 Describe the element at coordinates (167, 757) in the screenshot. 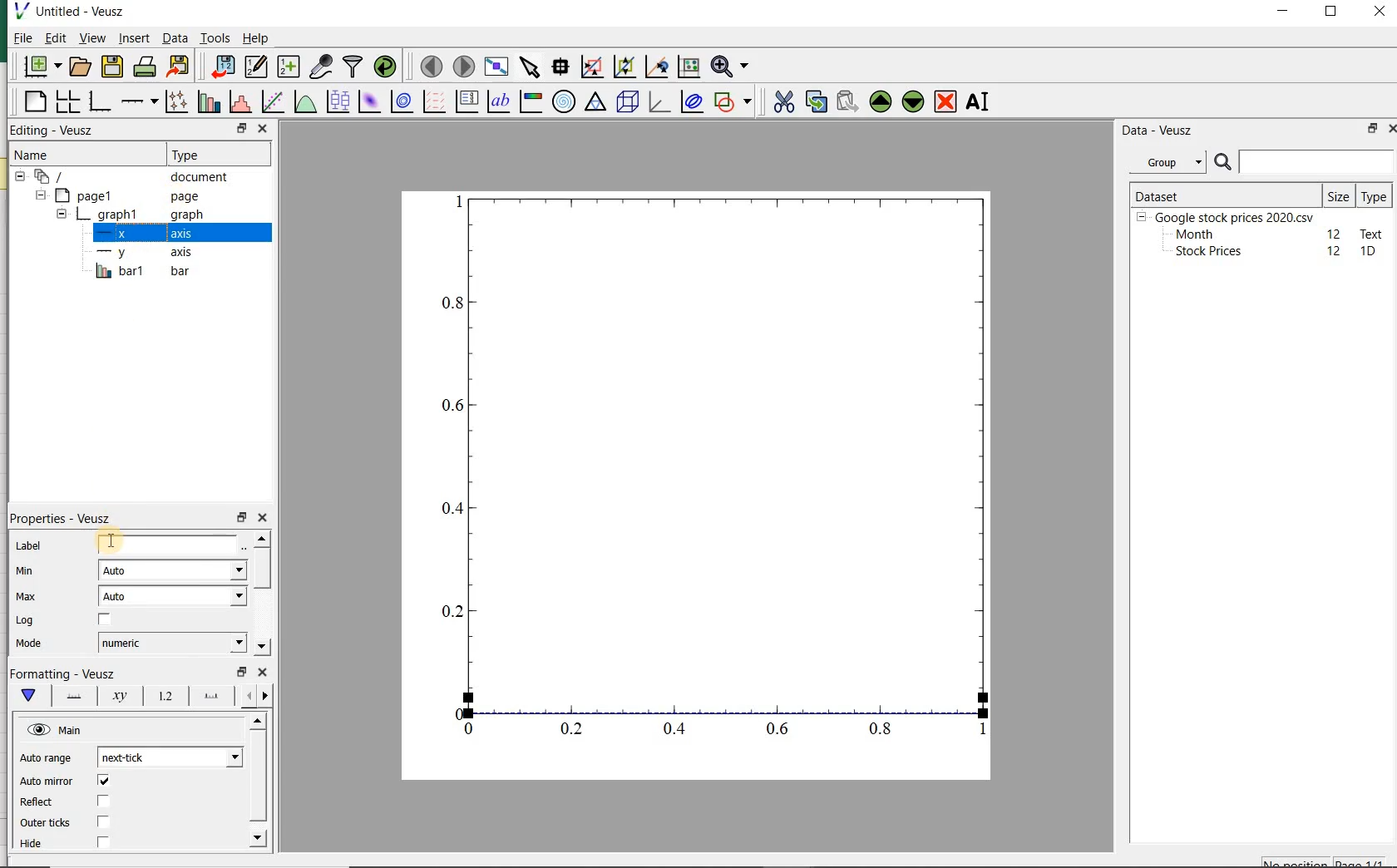

I see `next tick` at that location.